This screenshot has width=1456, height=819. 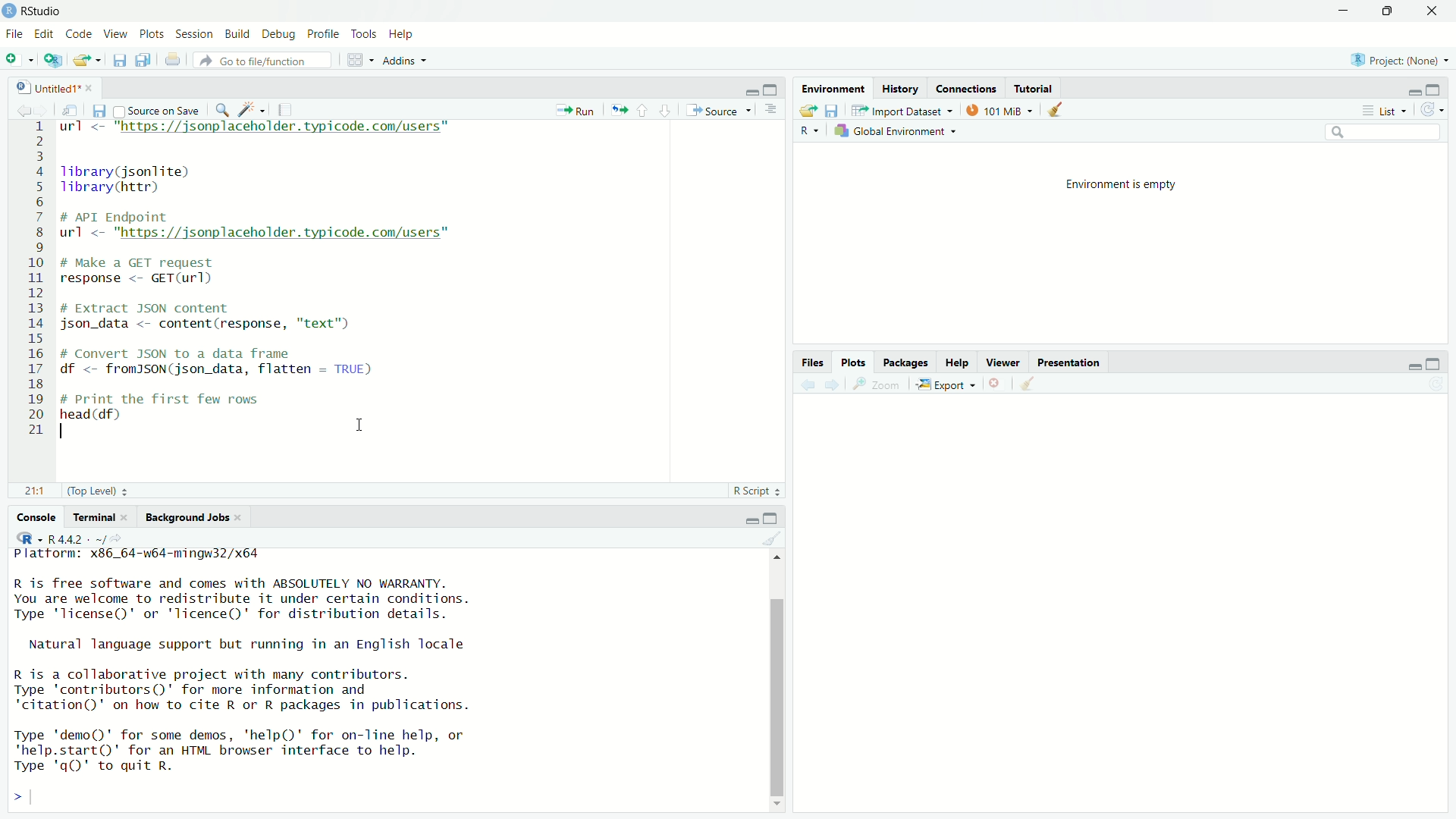 What do you see at coordinates (223, 110) in the screenshot?
I see `Find/Replace` at bounding box center [223, 110].